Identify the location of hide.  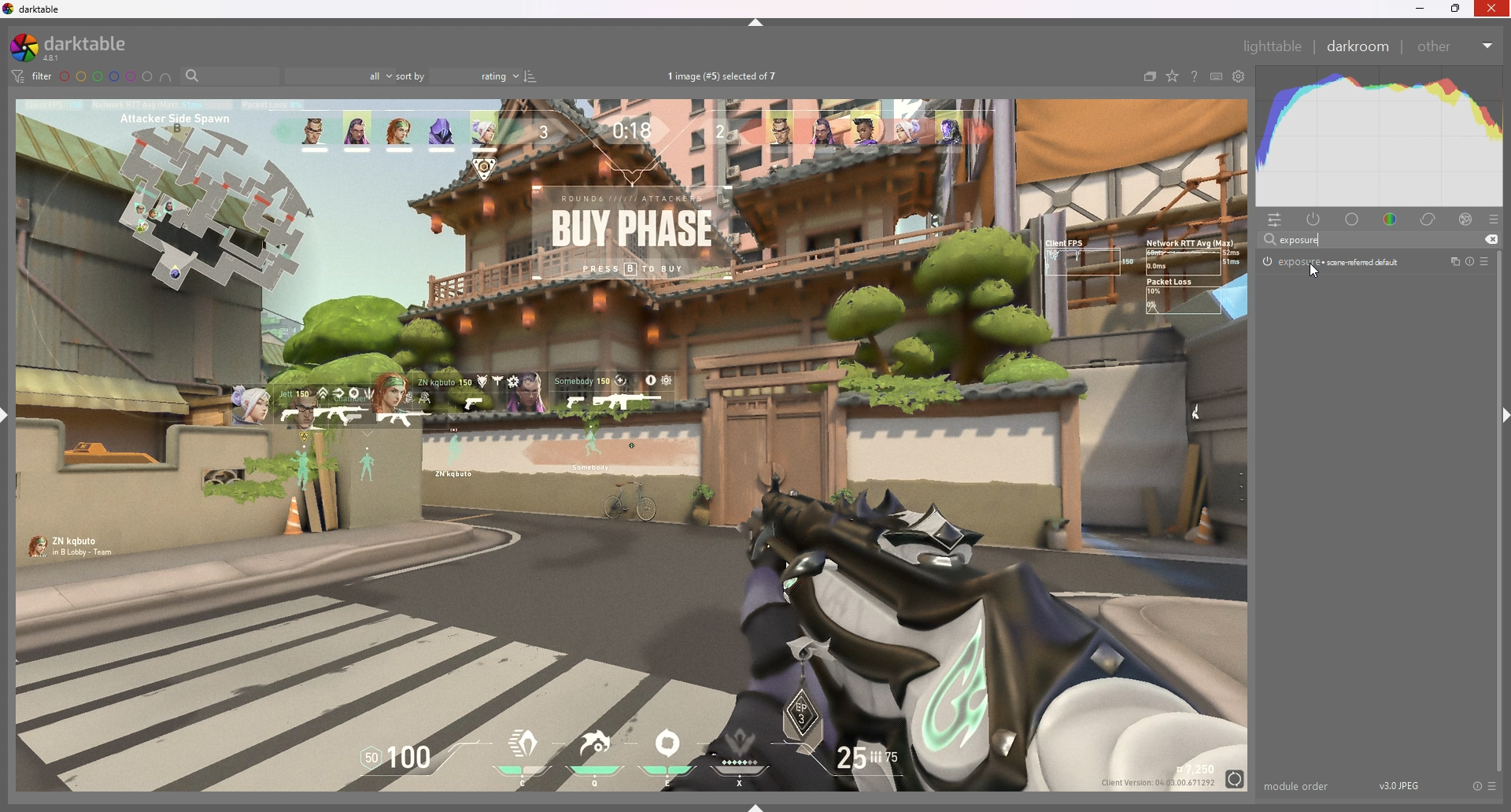
(756, 23).